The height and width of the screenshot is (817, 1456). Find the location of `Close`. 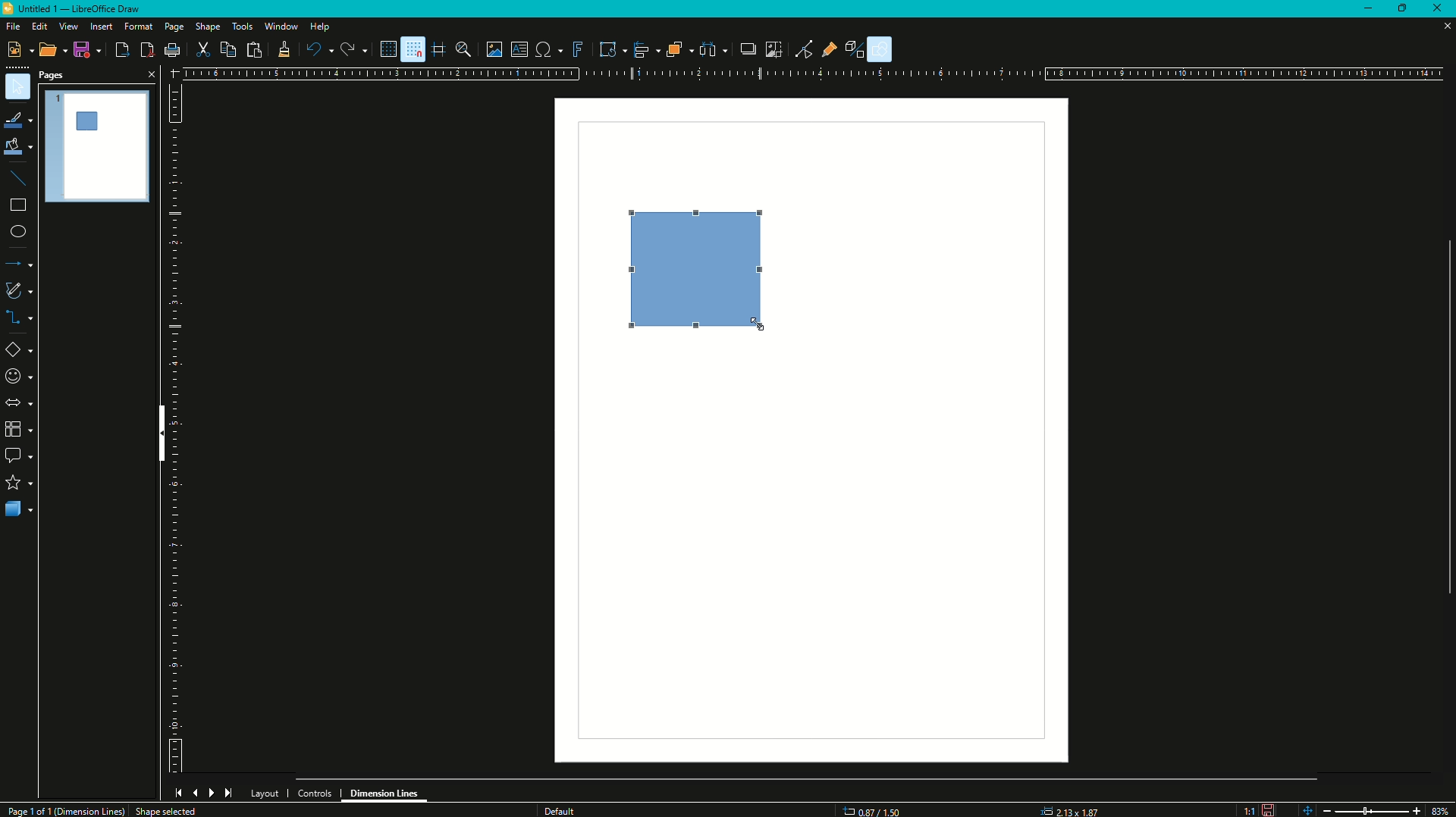

Close is located at coordinates (149, 74).